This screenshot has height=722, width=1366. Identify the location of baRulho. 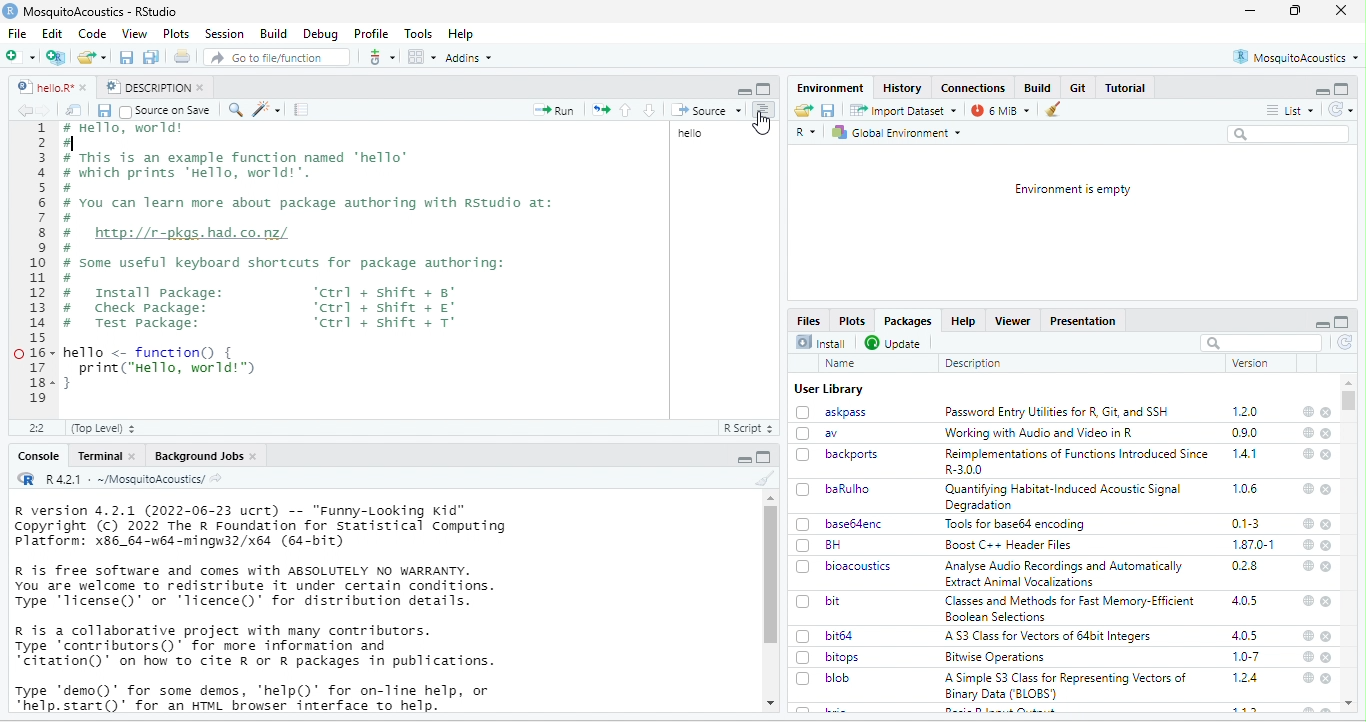
(832, 488).